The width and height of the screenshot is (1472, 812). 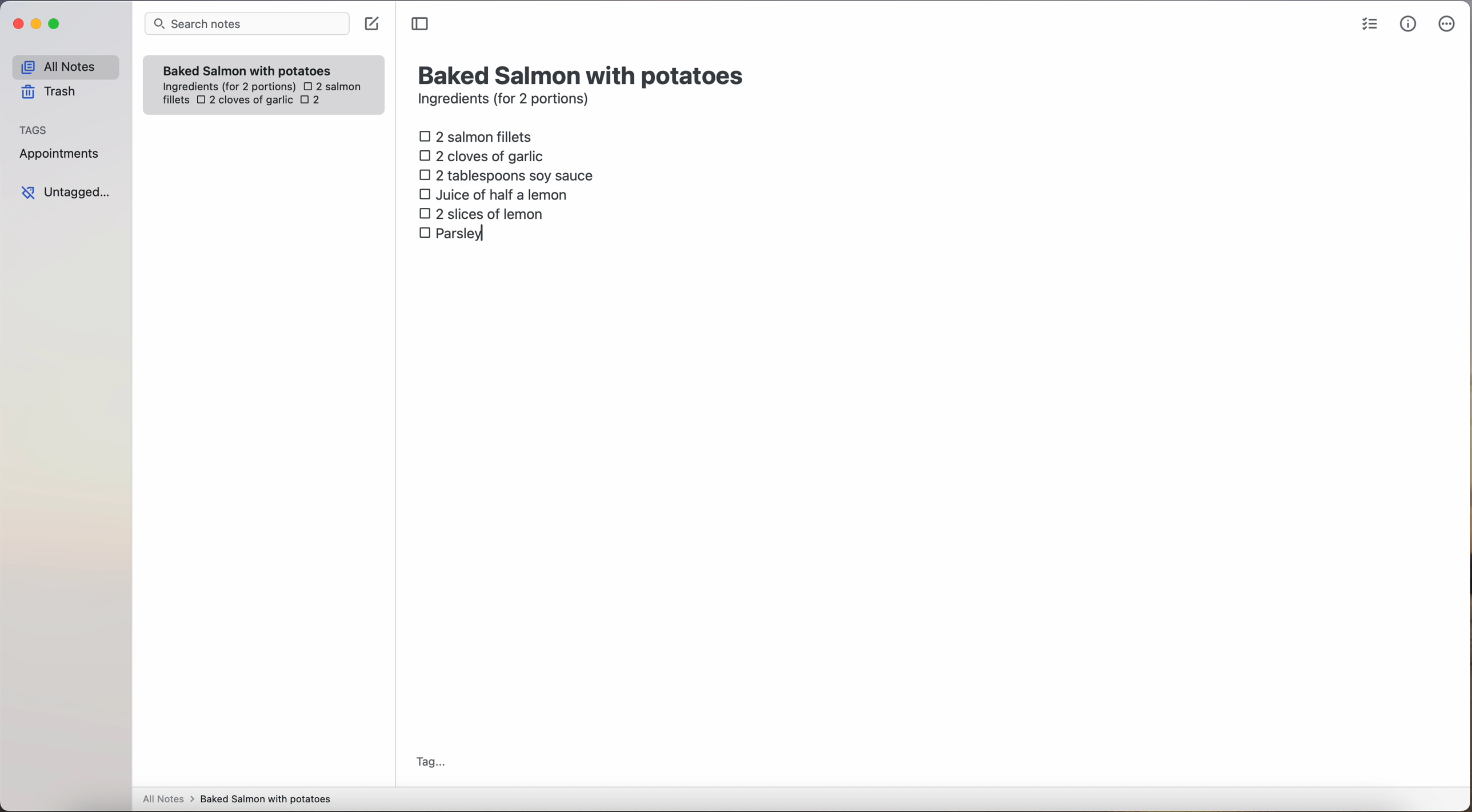 I want to click on 2 , so click(x=314, y=101).